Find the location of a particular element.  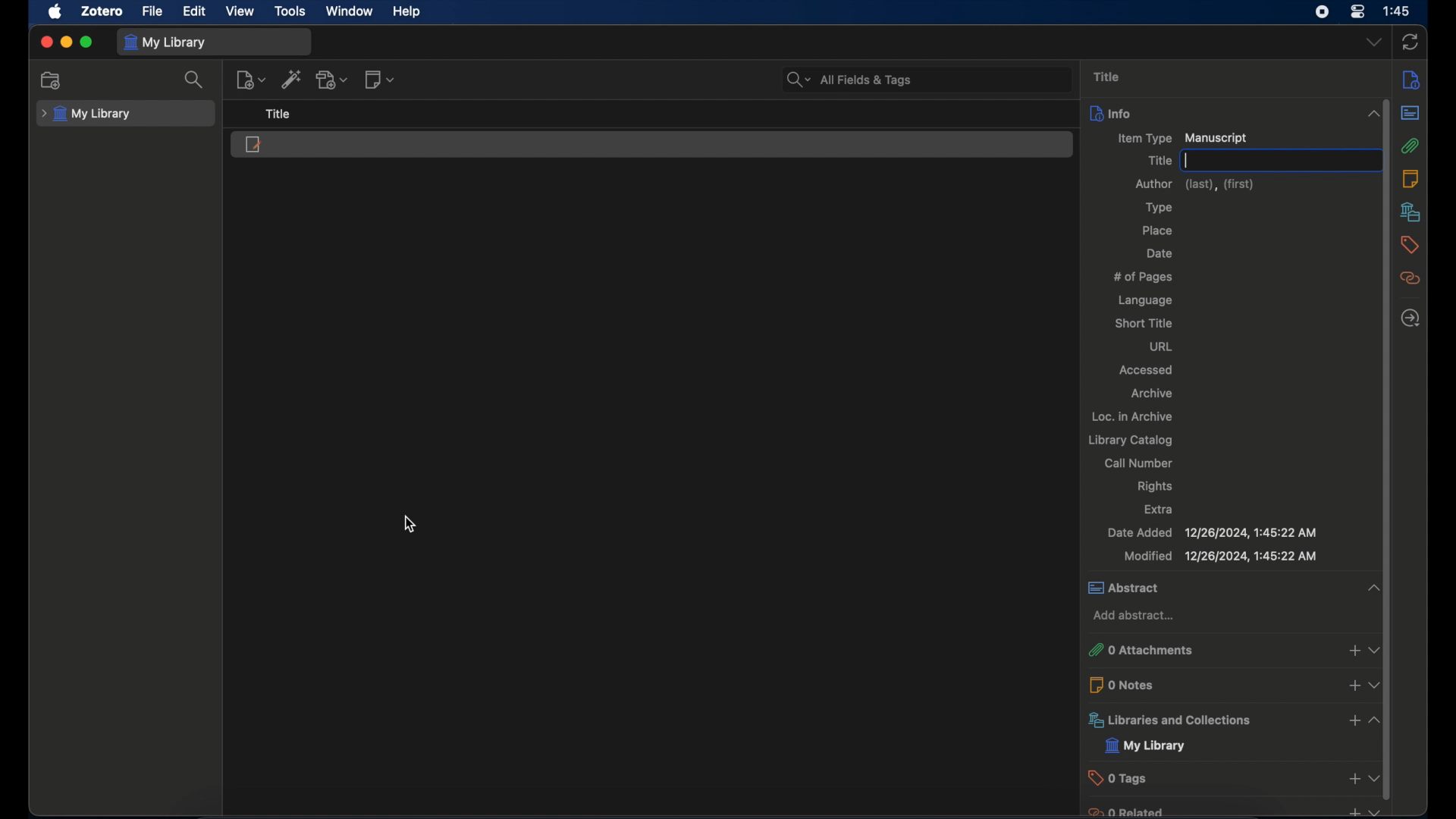

add abstract is located at coordinates (1136, 616).